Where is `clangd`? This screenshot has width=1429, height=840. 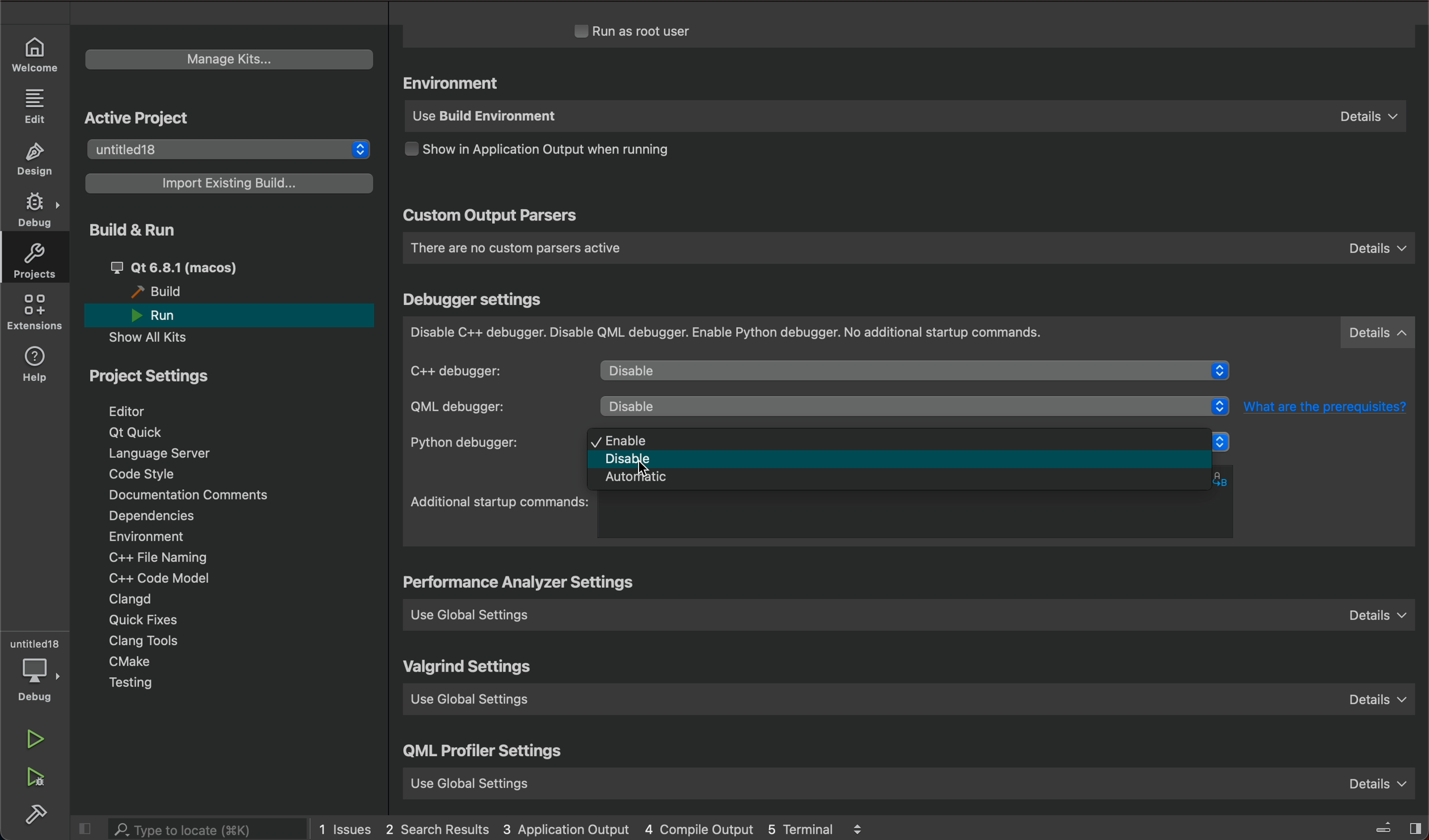 clangd is located at coordinates (132, 600).